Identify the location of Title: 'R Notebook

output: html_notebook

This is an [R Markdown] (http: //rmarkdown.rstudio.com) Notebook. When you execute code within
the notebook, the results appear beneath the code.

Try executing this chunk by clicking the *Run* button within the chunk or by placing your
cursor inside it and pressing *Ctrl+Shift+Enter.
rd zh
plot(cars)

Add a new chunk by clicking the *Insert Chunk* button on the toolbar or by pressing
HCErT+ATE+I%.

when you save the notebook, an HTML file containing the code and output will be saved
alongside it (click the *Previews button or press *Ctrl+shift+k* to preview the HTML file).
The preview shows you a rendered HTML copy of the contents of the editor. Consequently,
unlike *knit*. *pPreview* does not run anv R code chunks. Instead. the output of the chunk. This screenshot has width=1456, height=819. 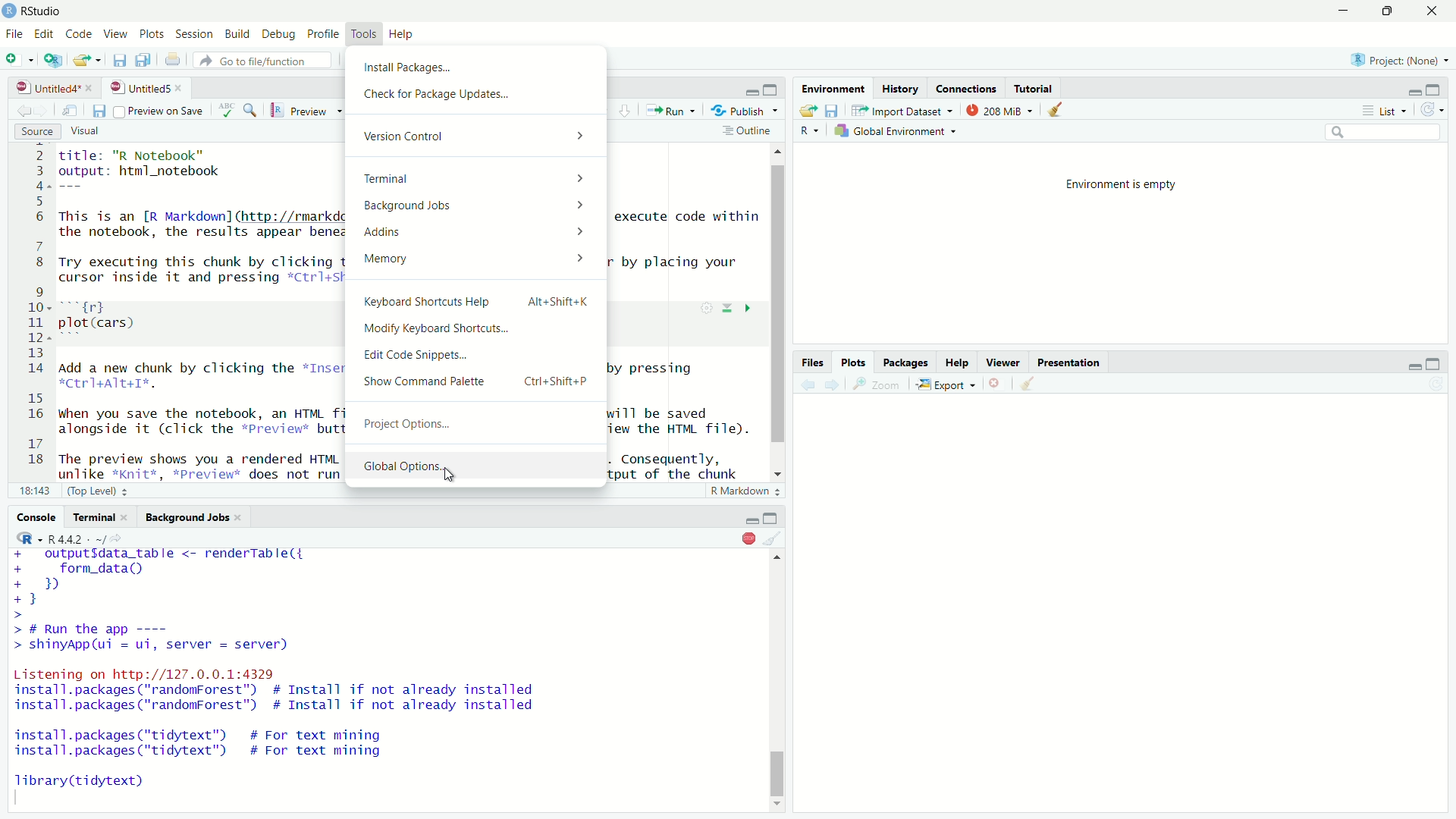
(199, 312).